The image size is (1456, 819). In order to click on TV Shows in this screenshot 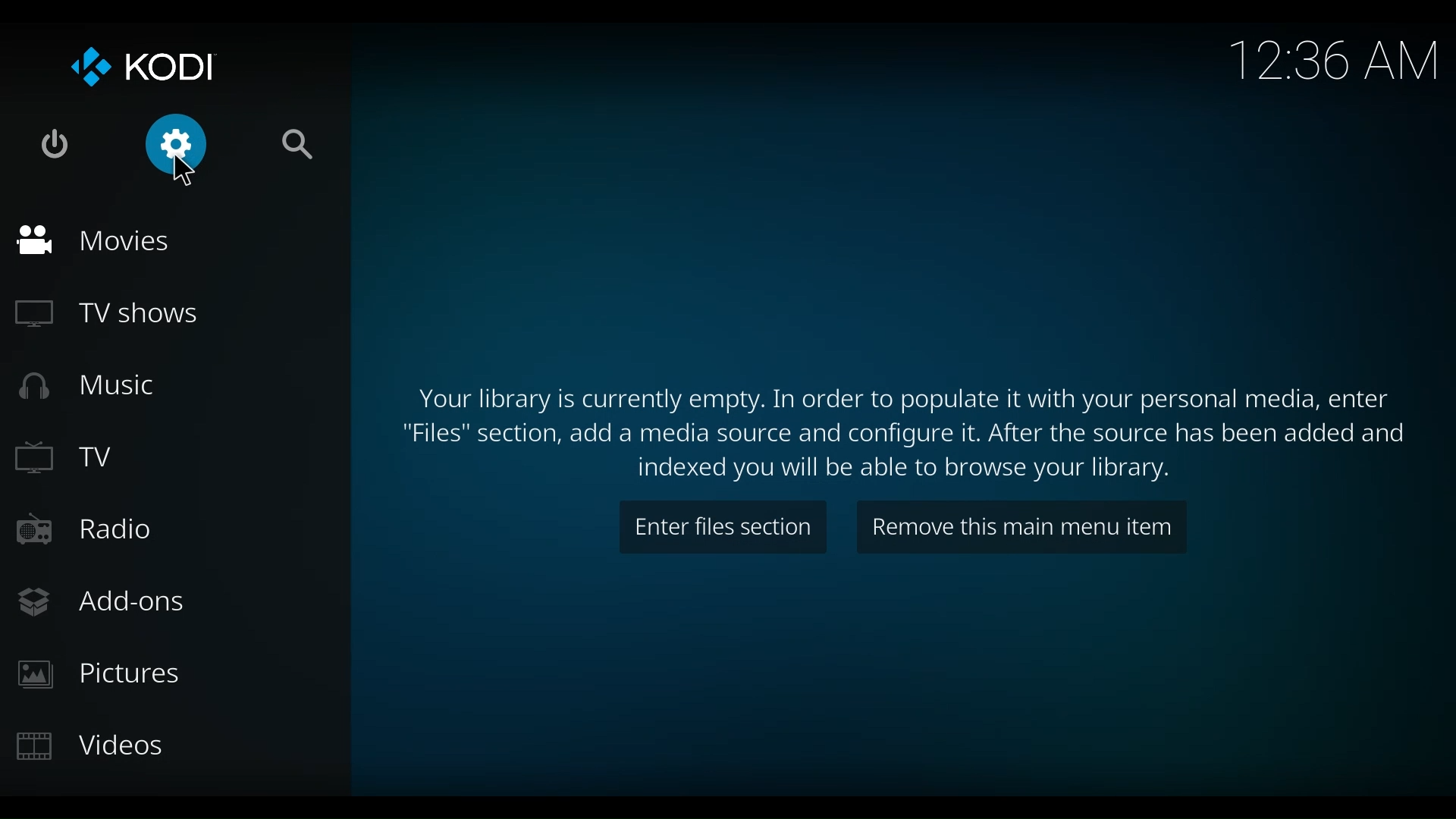, I will do `click(111, 315)`.